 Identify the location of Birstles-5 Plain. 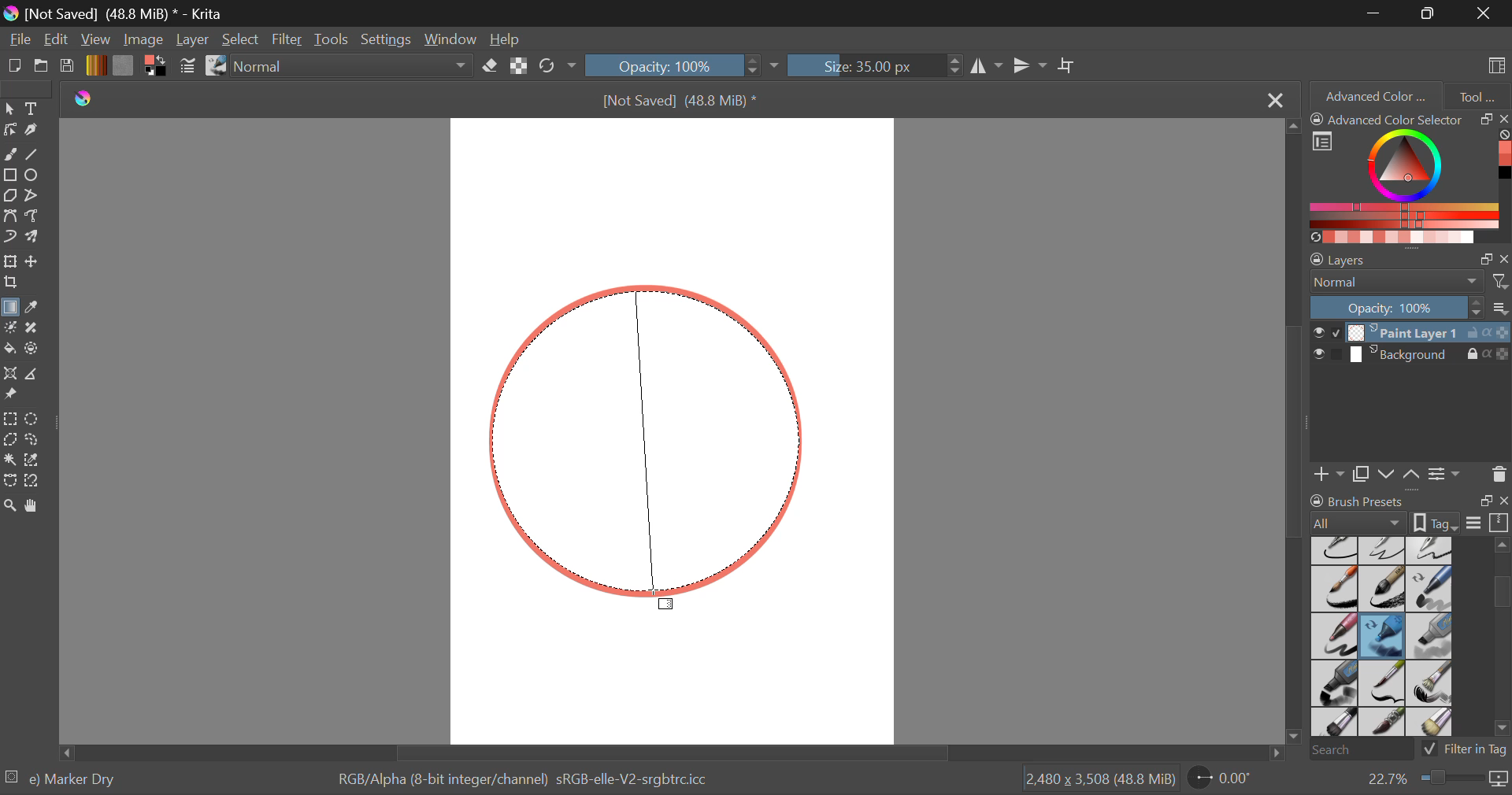
(1433, 723).